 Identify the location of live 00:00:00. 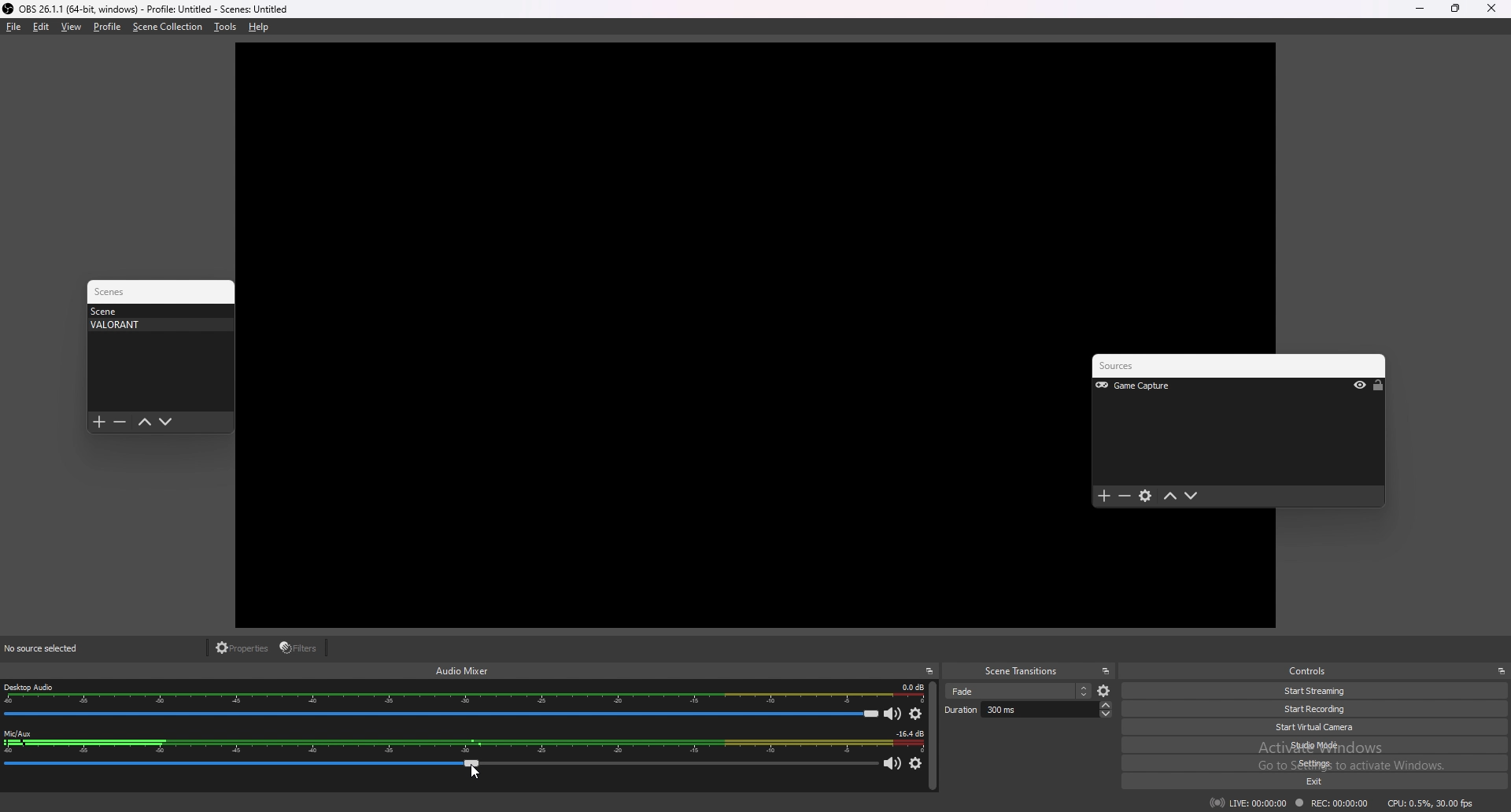
(1248, 803).